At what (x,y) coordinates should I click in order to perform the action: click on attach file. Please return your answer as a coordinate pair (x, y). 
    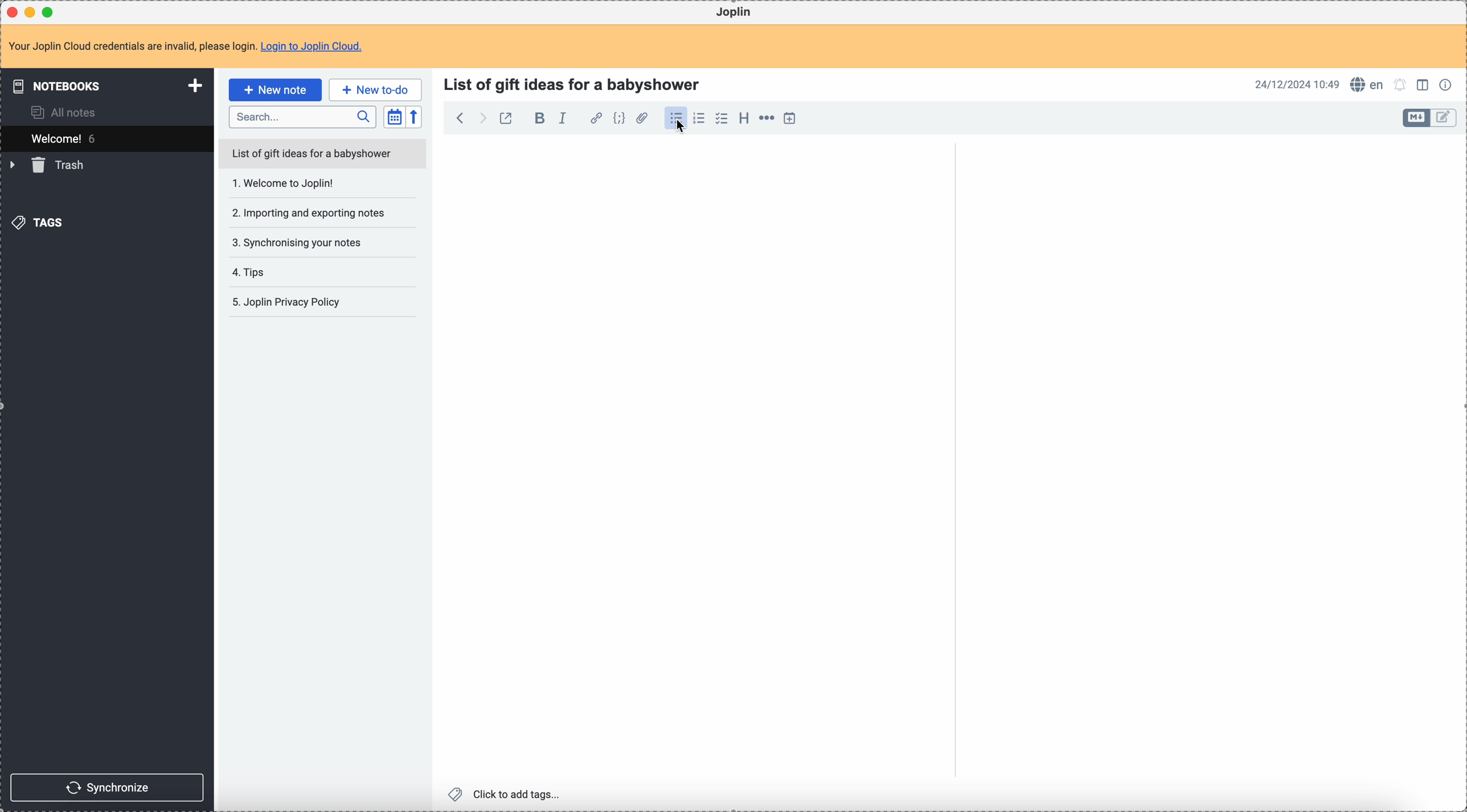
    Looking at the image, I should click on (644, 119).